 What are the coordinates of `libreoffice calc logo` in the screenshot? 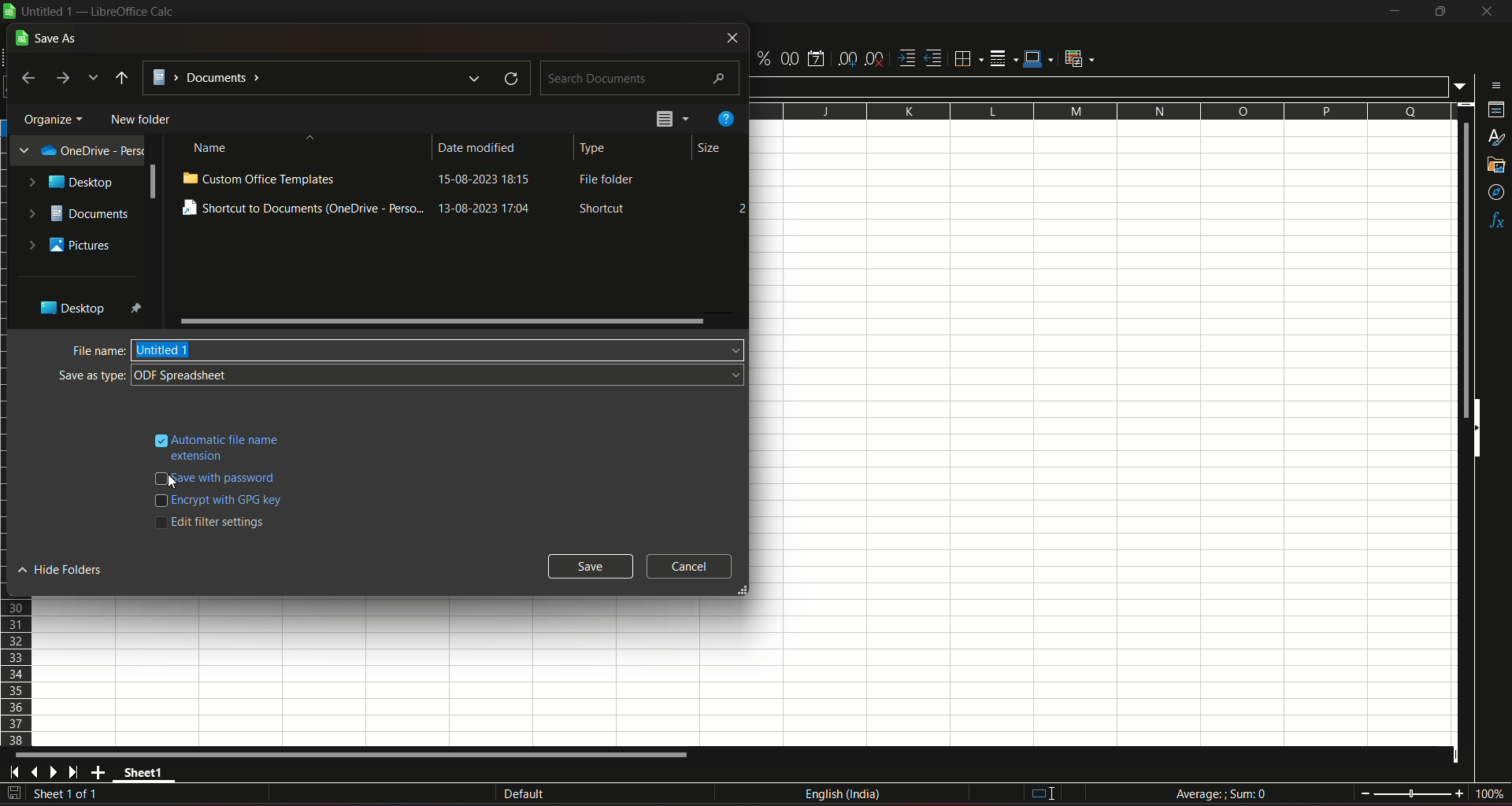 It's located at (9, 12).